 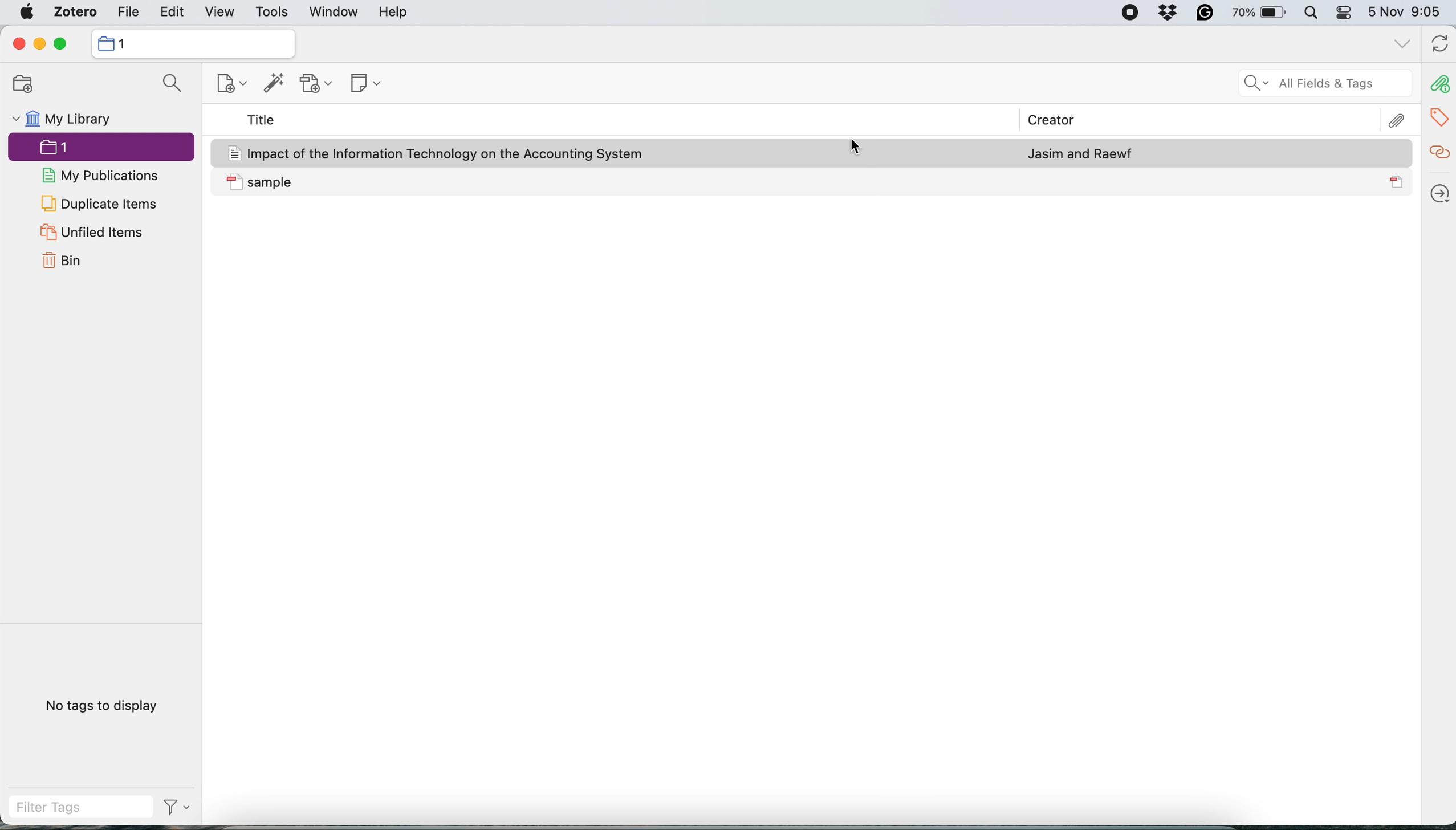 I want to click on screen recorder, so click(x=1121, y=14).